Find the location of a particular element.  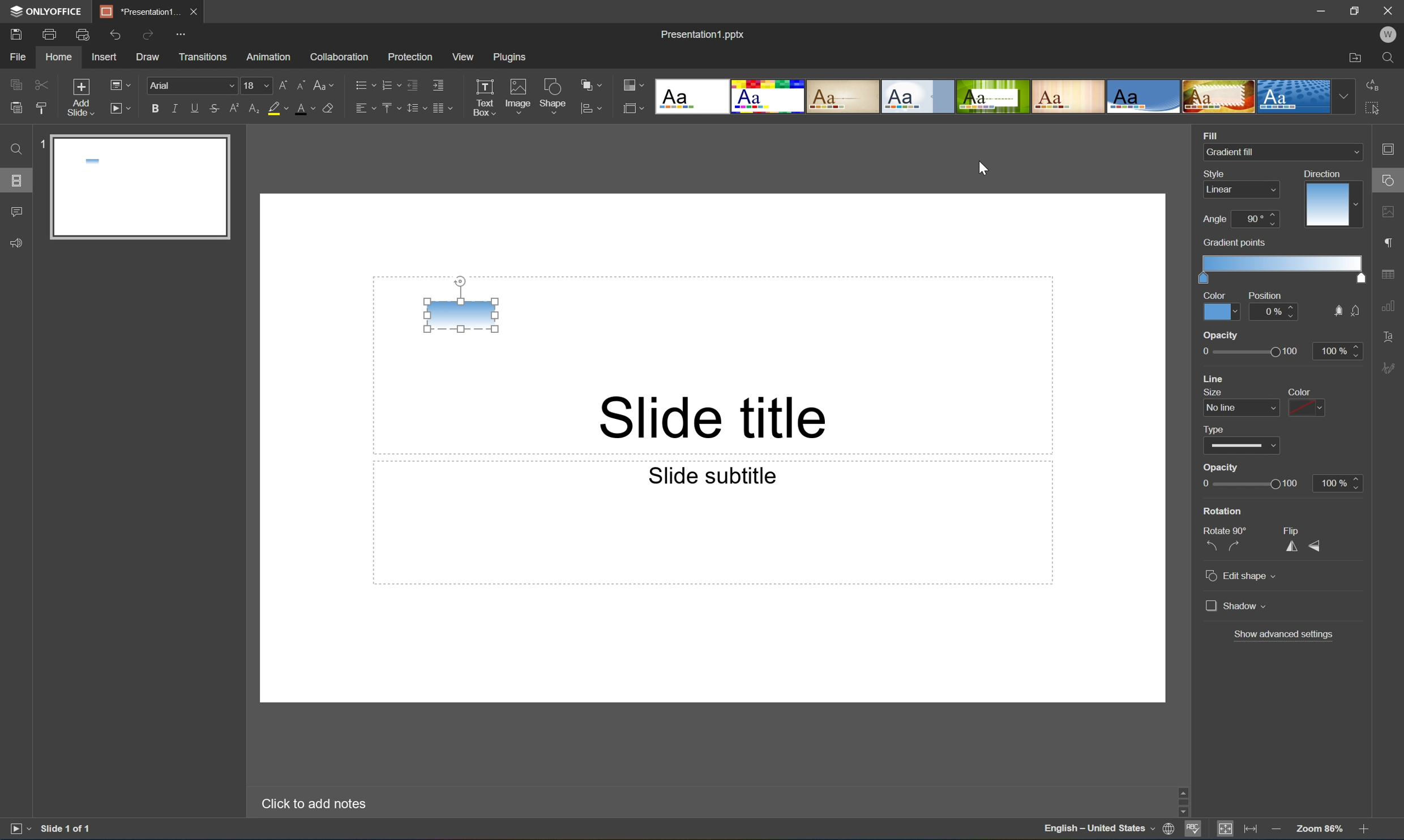

Amazon is located at coordinates (269, 55).